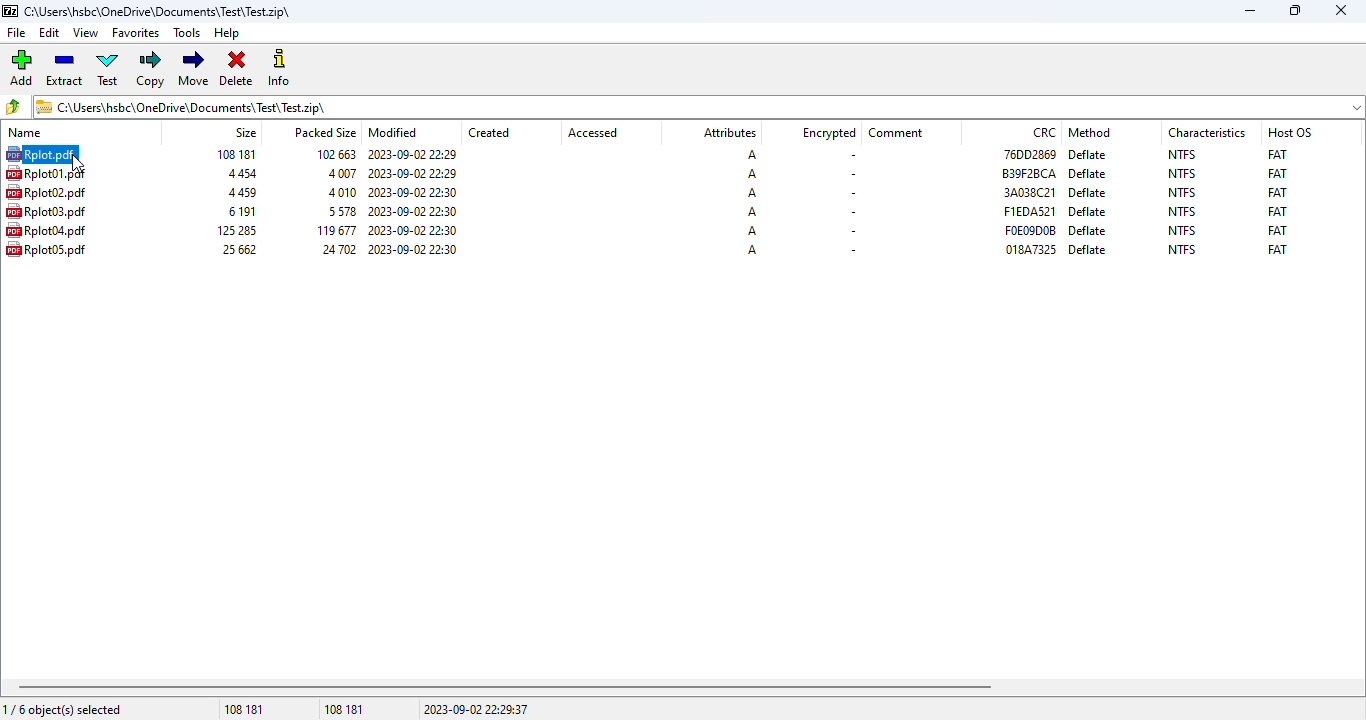 The width and height of the screenshot is (1366, 720). What do you see at coordinates (1181, 249) in the screenshot?
I see `NTFS` at bounding box center [1181, 249].